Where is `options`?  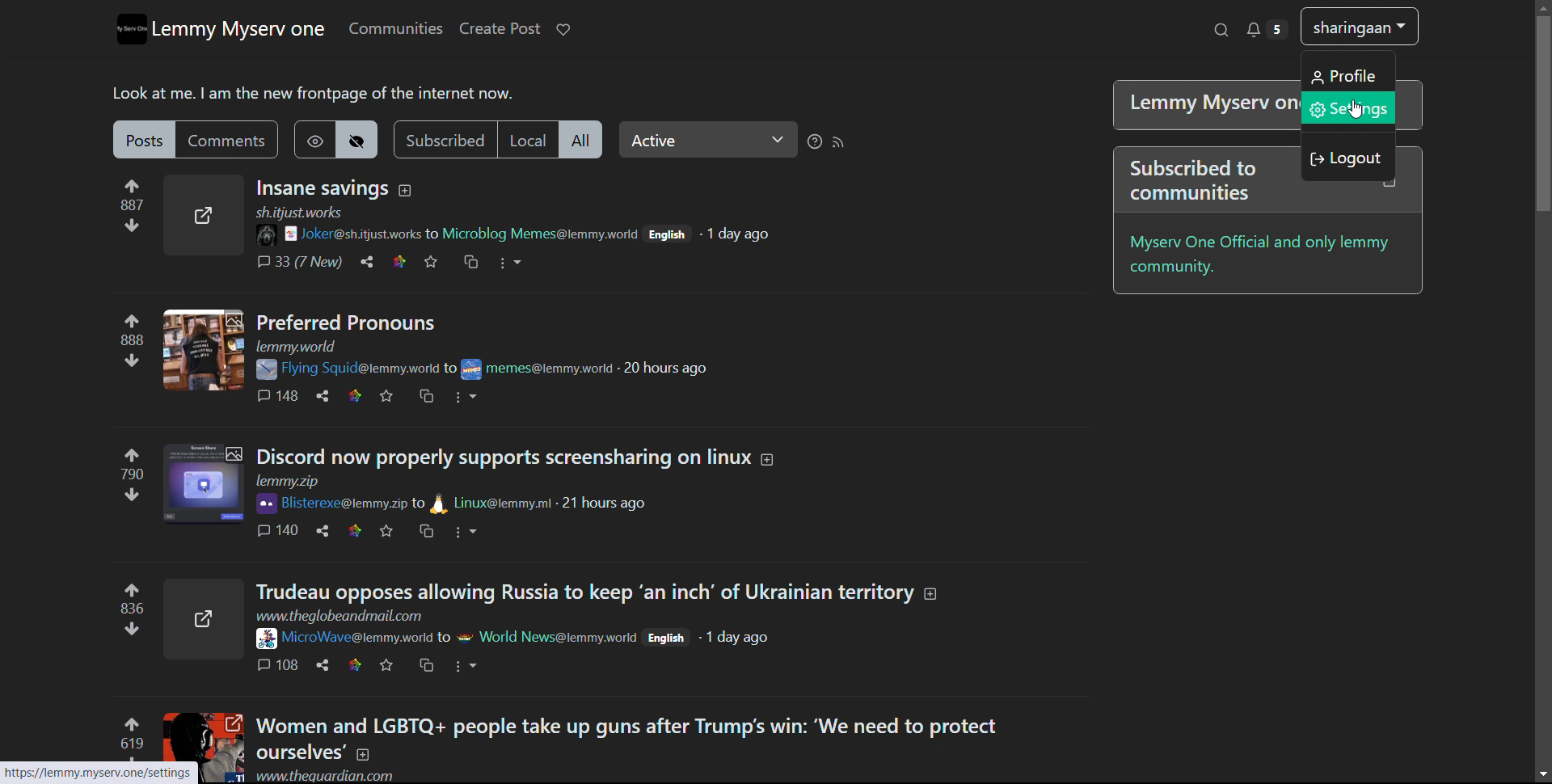 options is located at coordinates (509, 263).